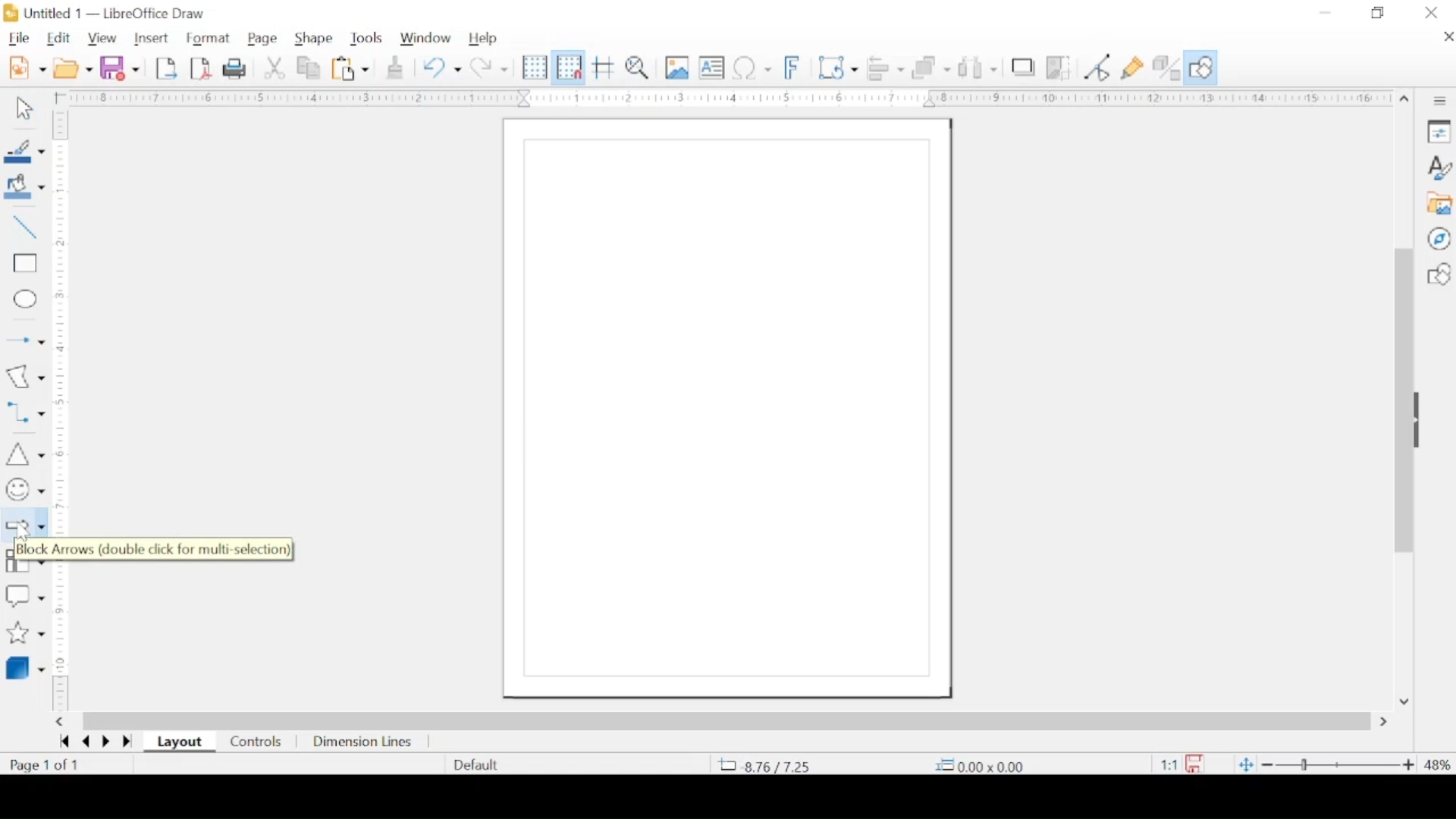  I want to click on zoom slider, so click(1338, 765).